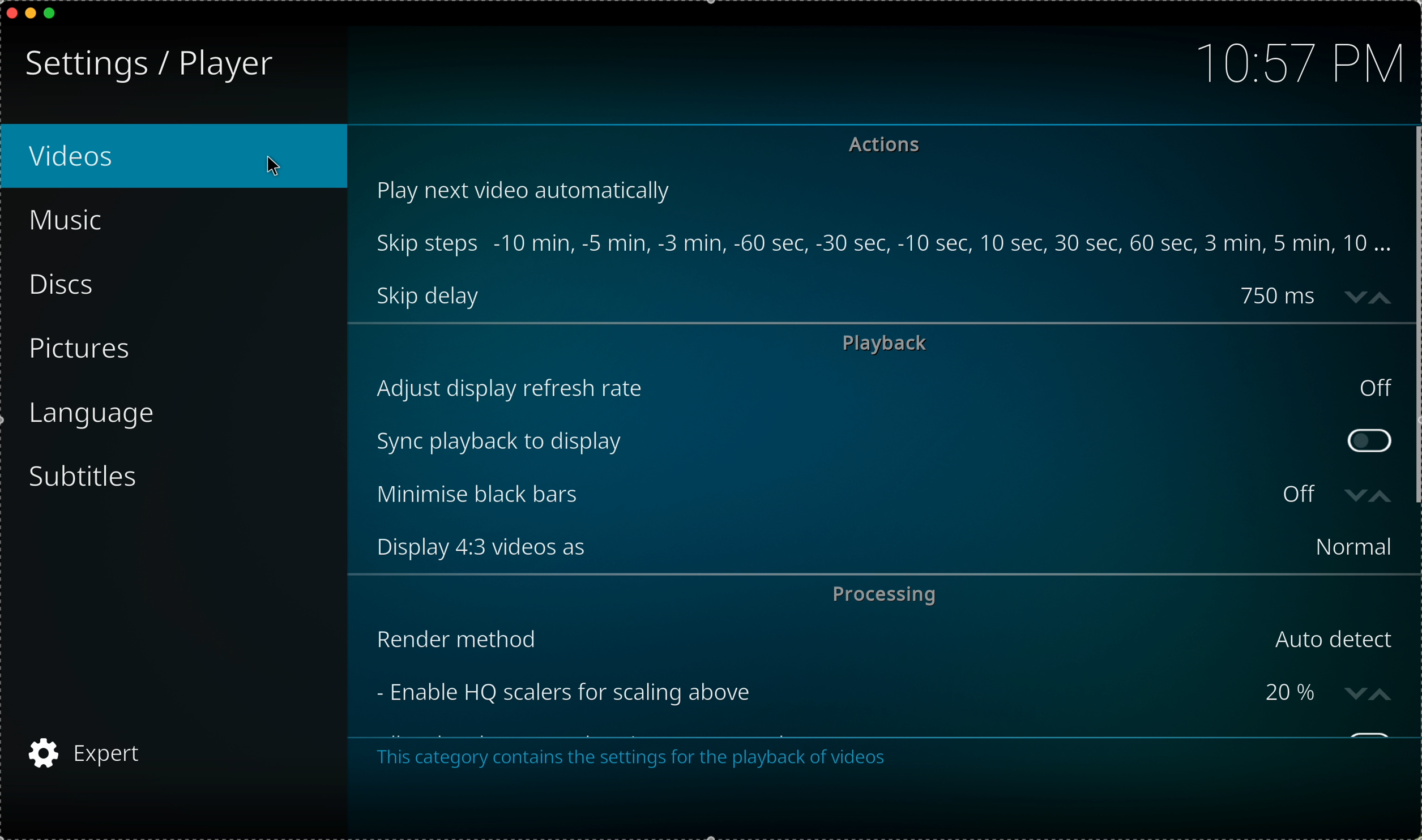 Image resolution: width=1422 pixels, height=840 pixels. What do you see at coordinates (889, 147) in the screenshot?
I see `actions` at bounding box center [889, 147].